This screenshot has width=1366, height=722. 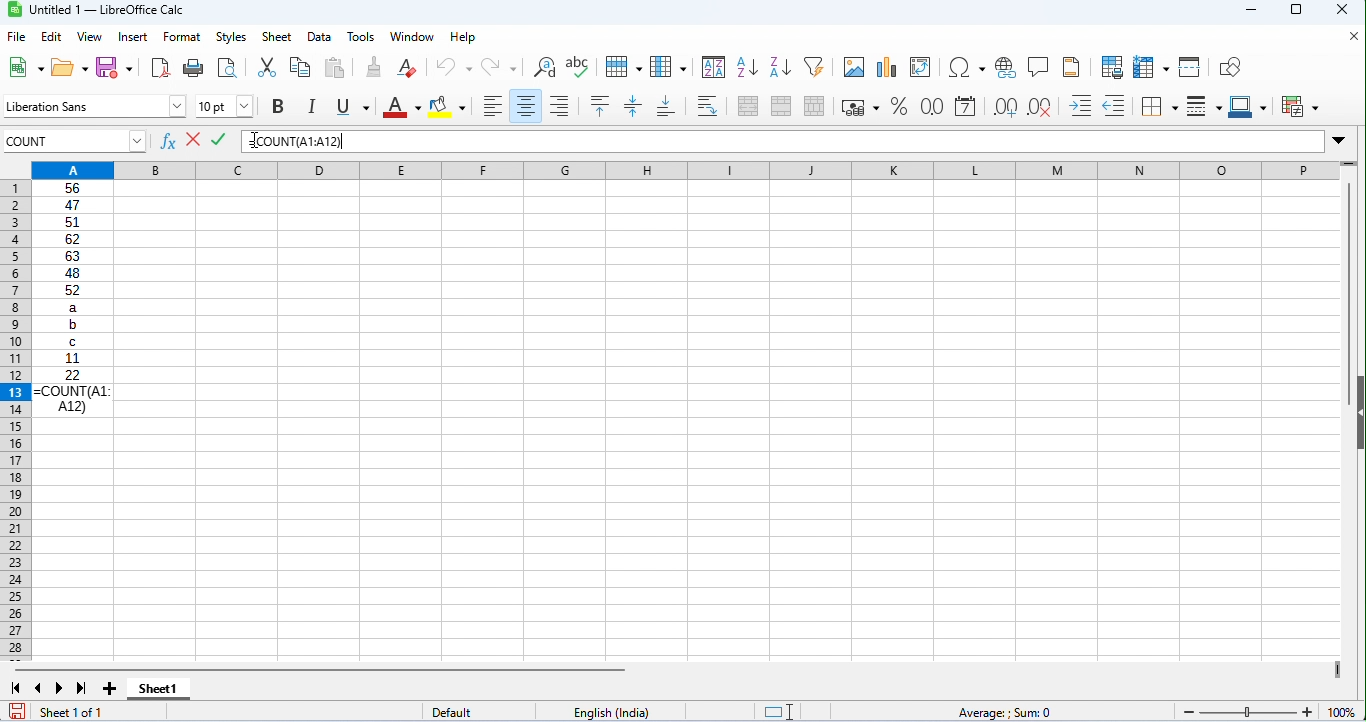 What do you see at coordinates (159, 690) in the screenshot?
I see `sheet1` at bounding box center [159, 690].